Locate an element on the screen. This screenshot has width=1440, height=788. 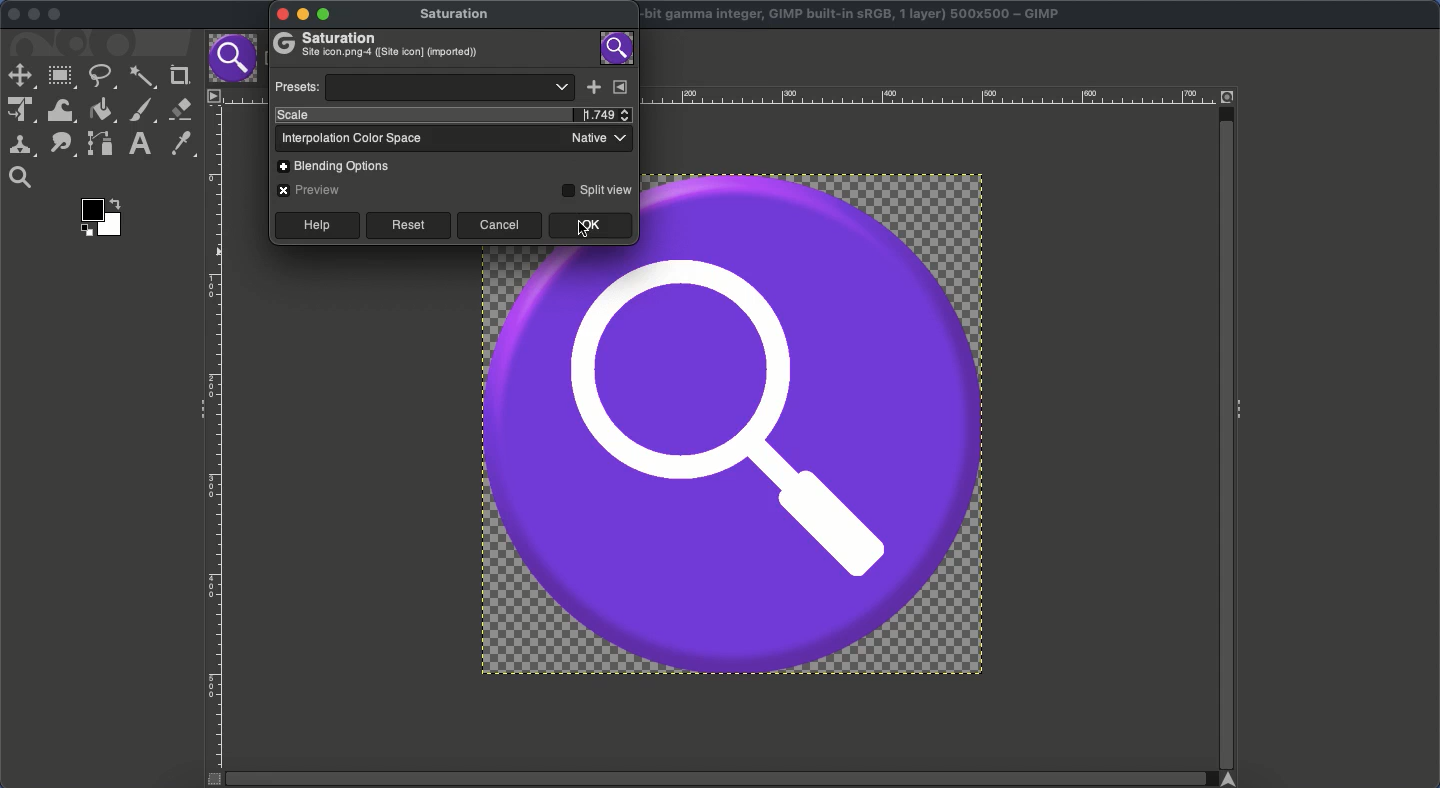
Help is located at coordinates (315, 225).